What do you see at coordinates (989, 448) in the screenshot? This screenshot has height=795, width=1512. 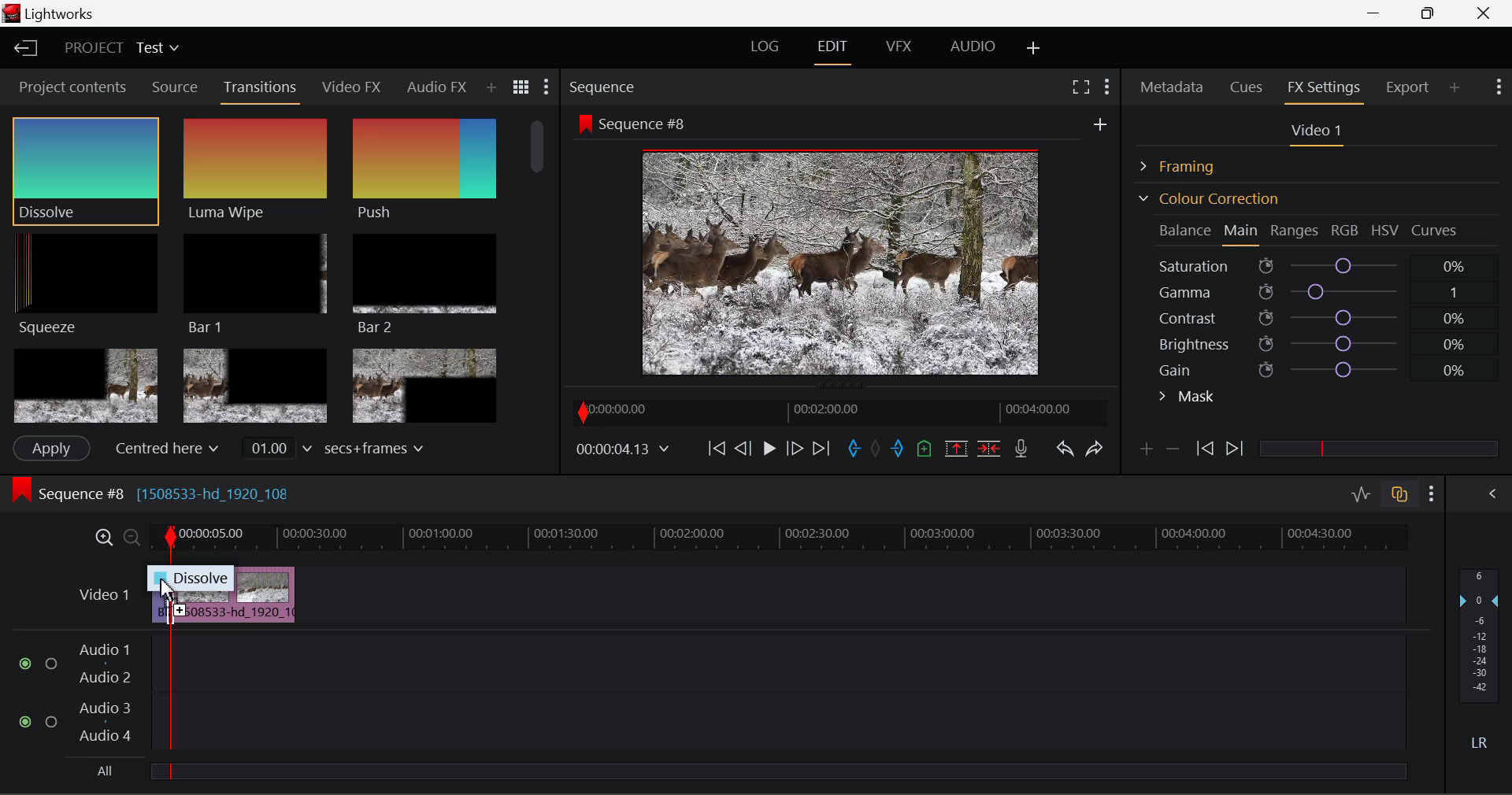 I see `Delete/Cut` at bounding box center [989, 448].